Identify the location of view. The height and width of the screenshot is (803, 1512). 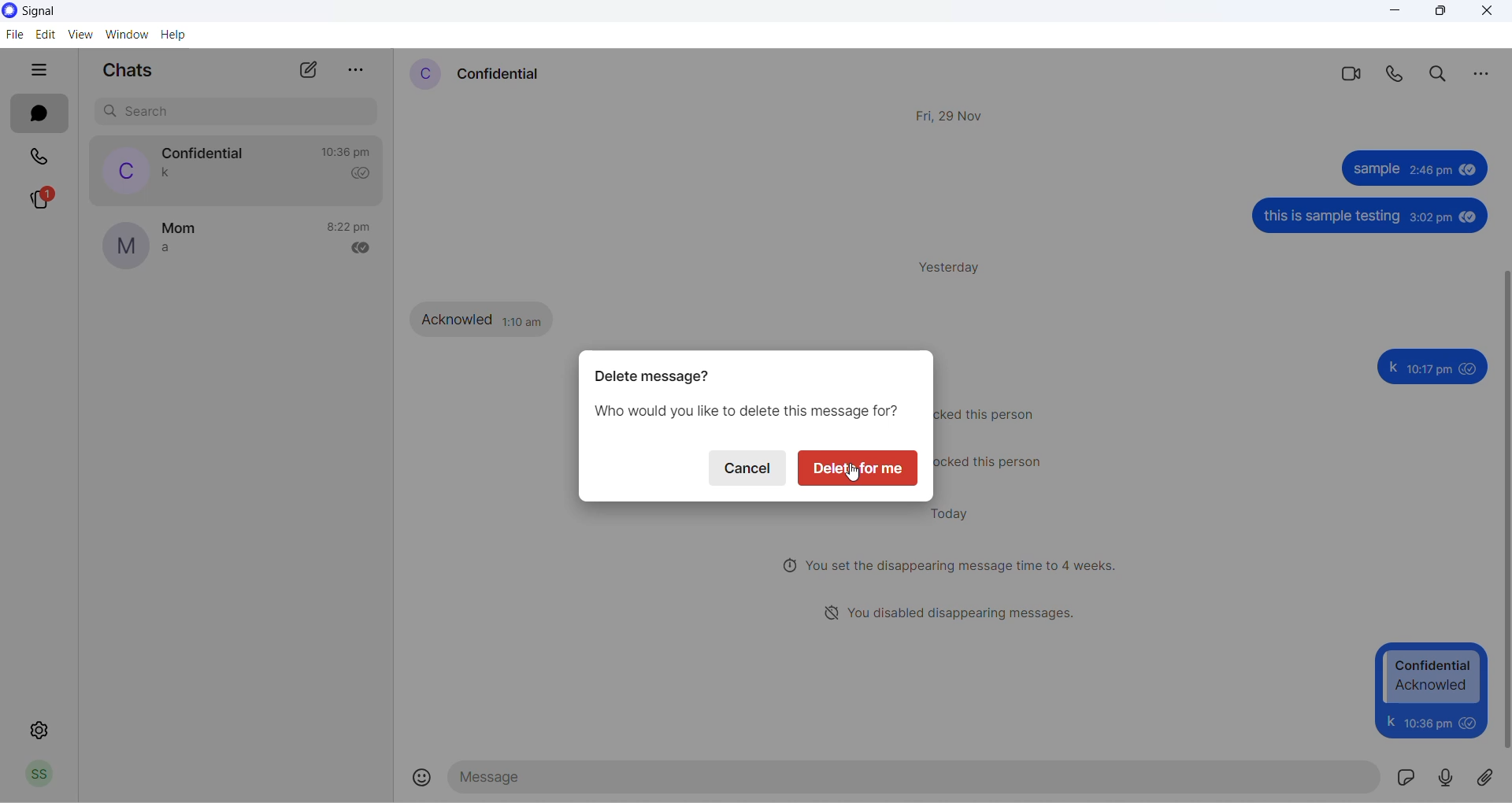
(78, 35).